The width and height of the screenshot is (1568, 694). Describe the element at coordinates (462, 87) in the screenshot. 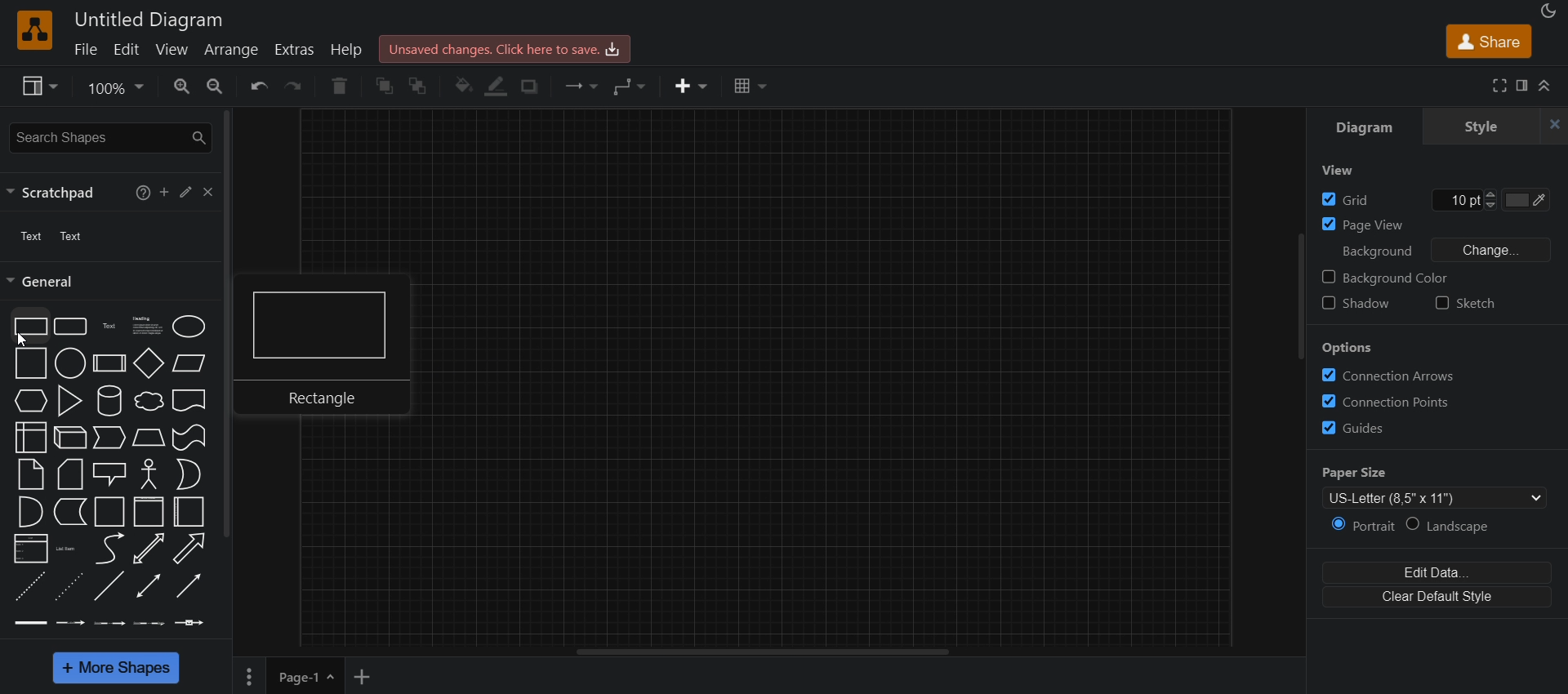

I see `fill color` at that location.